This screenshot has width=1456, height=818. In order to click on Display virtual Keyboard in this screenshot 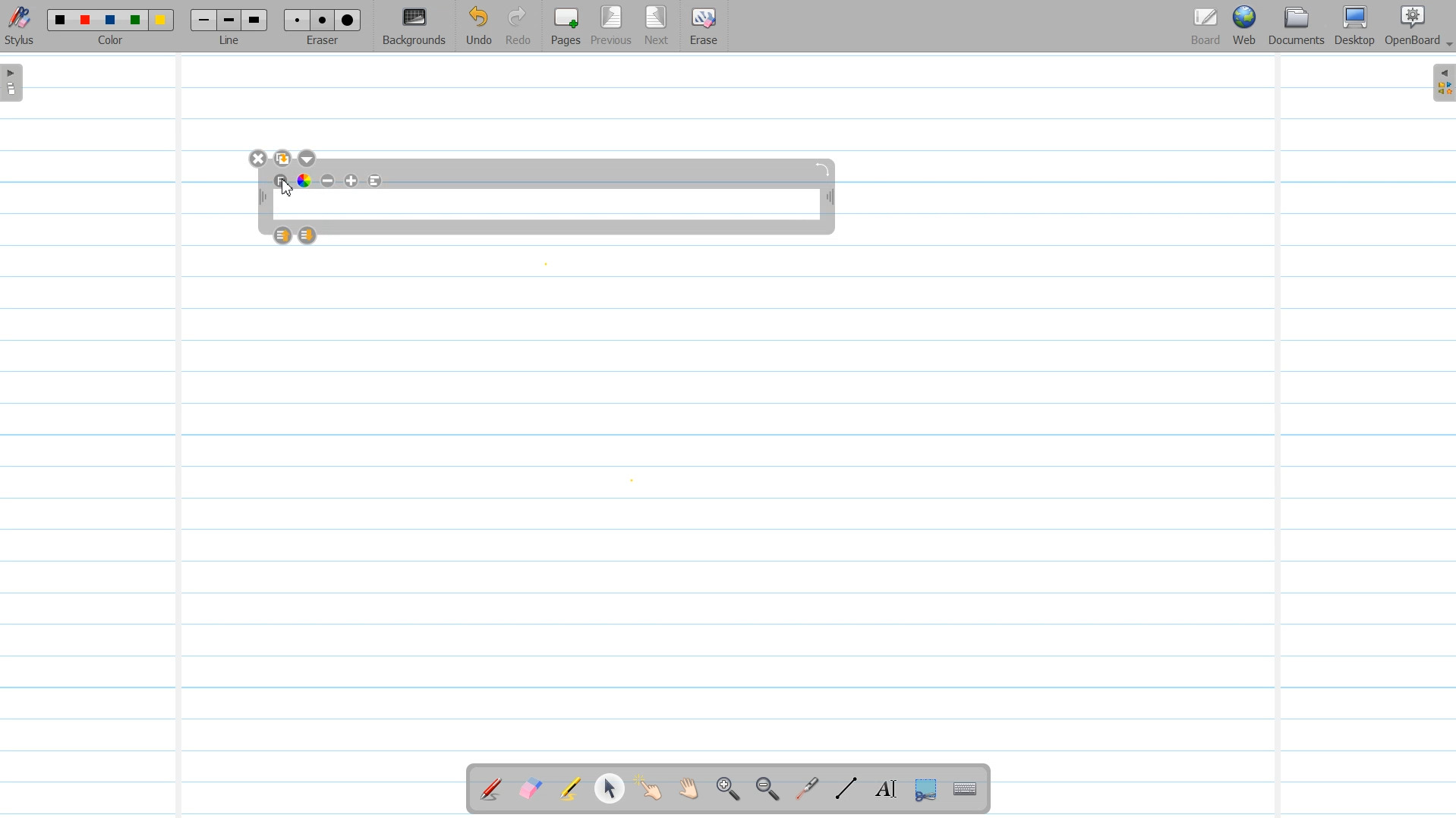, I will do `click(966, 790)`.